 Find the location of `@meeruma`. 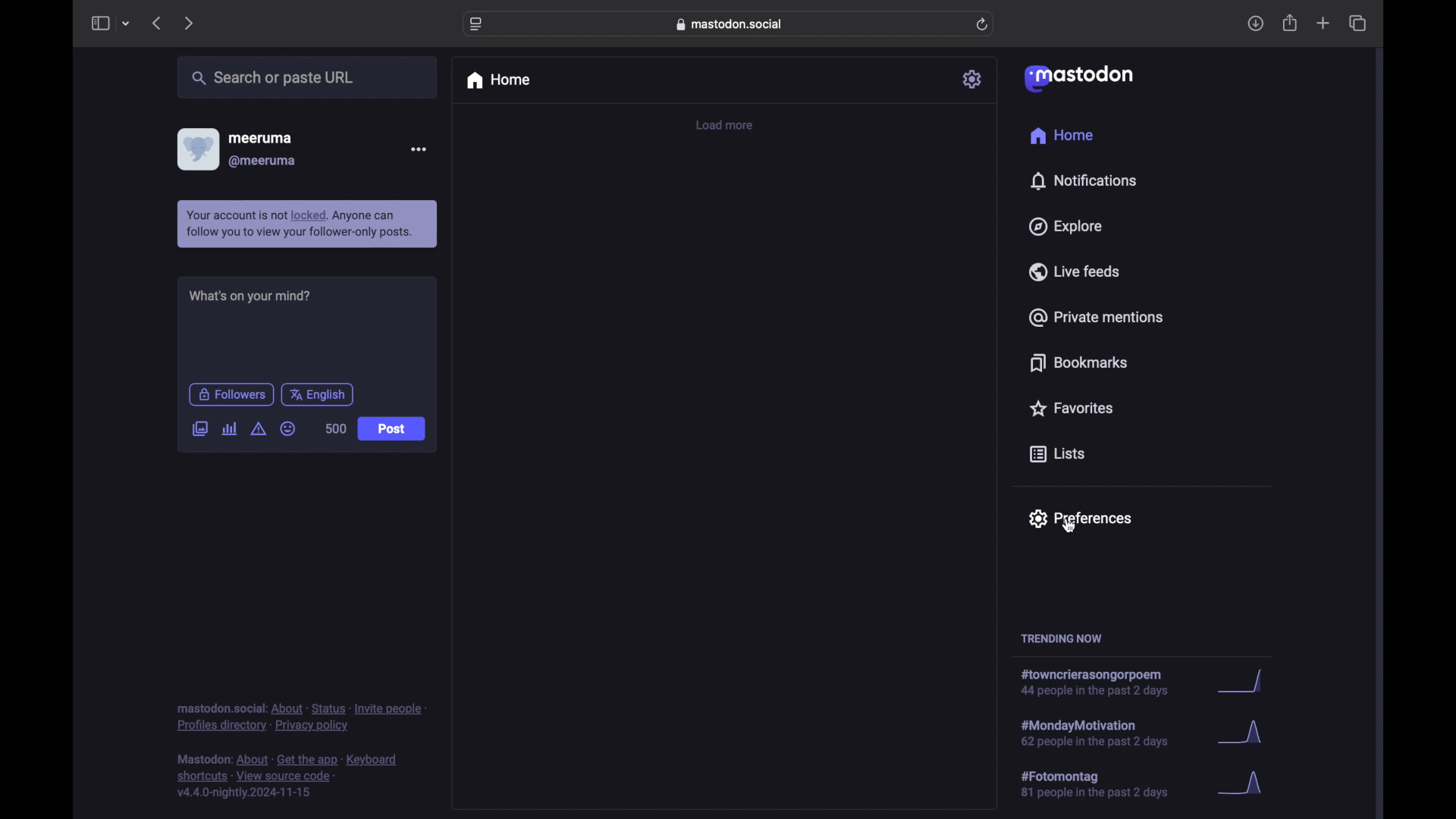

@meeruma is located at coordinates (263, 161).